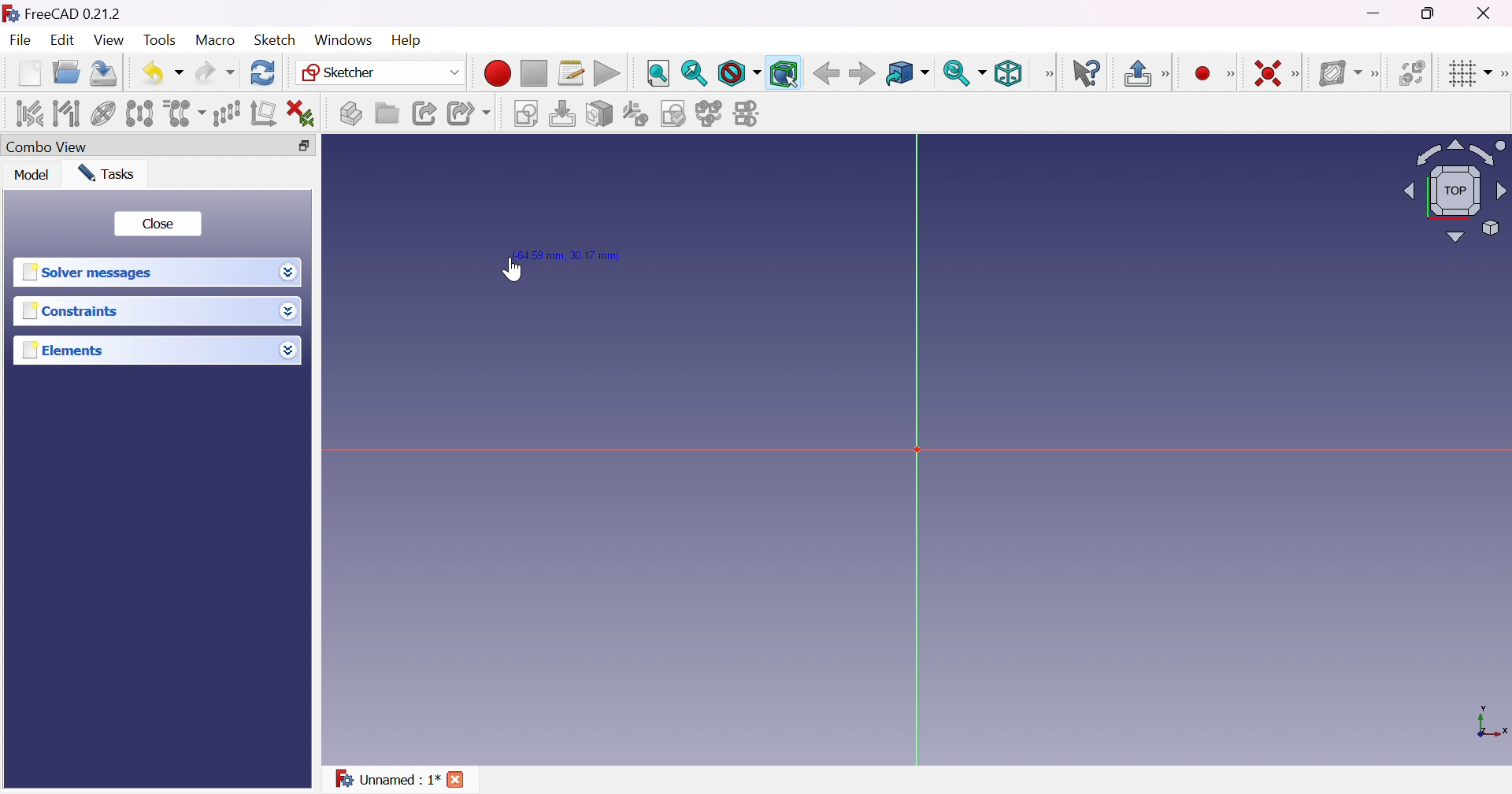 The image size is (1512, 794). I want to click on Open, so click(67, 72).